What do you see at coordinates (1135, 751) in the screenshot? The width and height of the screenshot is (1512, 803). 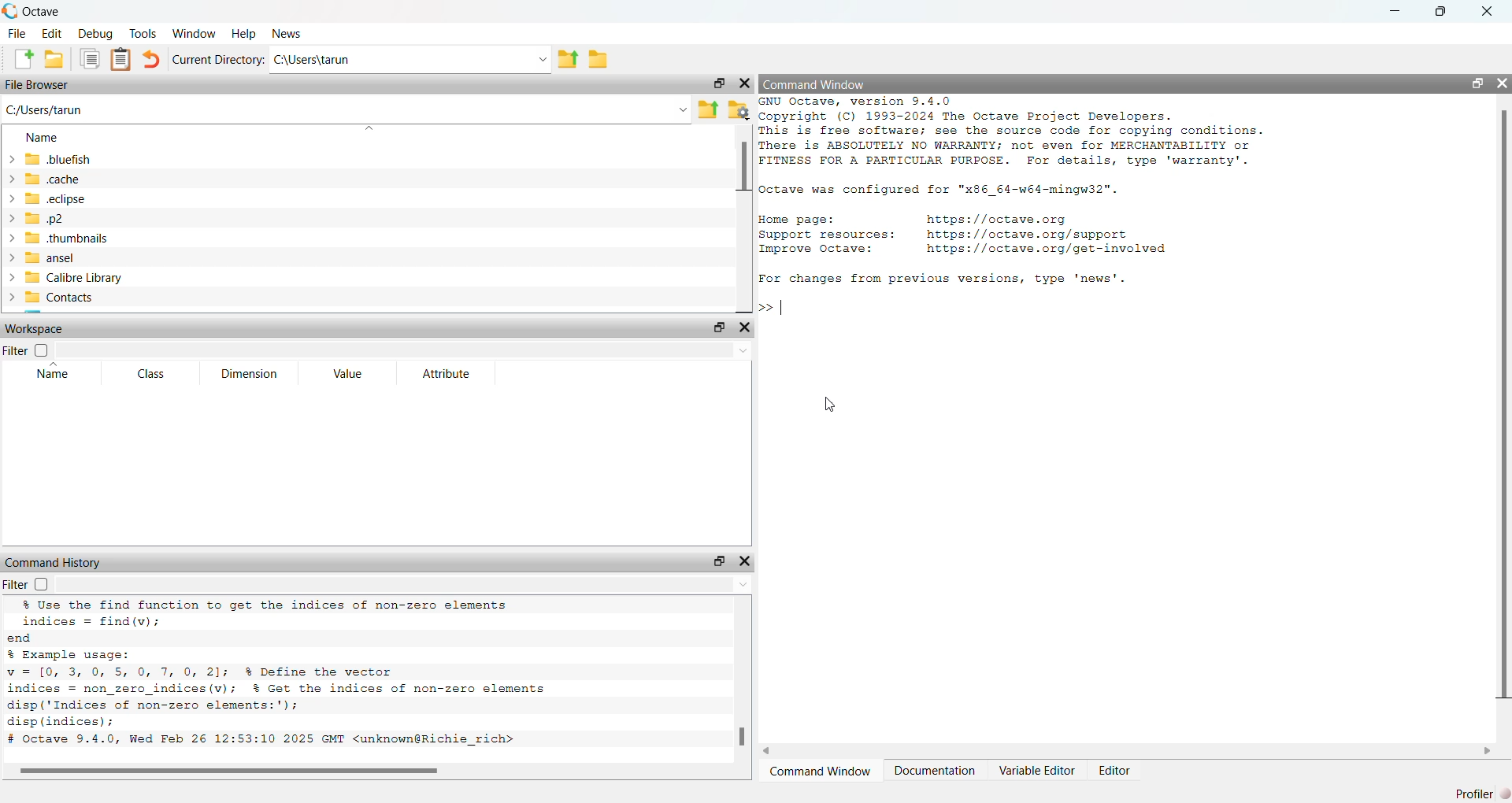 I see `horizontal scroll bar` at bounding box center [1135, 751].